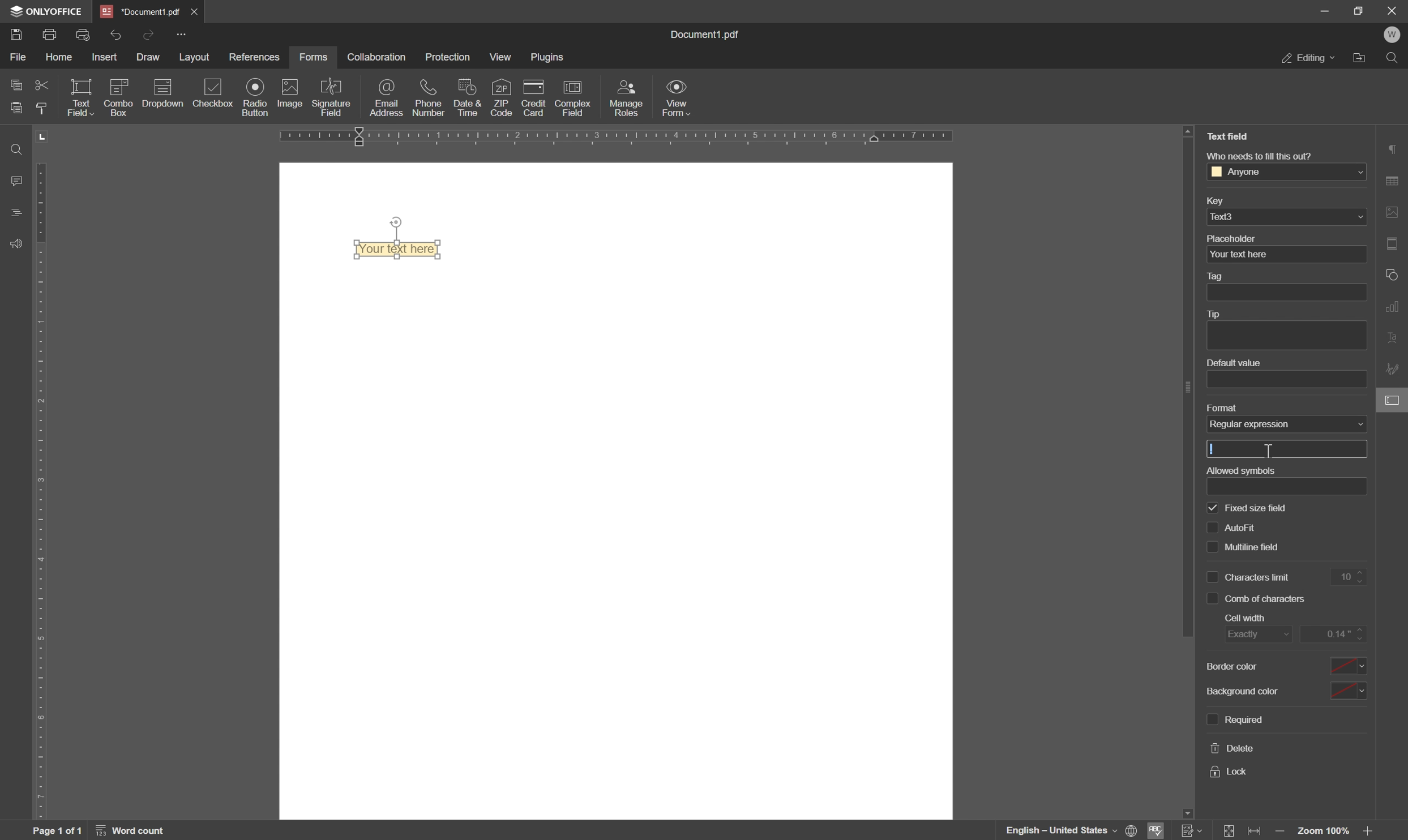 This screenshot has width=1408, height=840. What do you see at coordinates (314, 57) in the screenshot?
I see `forms` at bounding box center [314, 57].